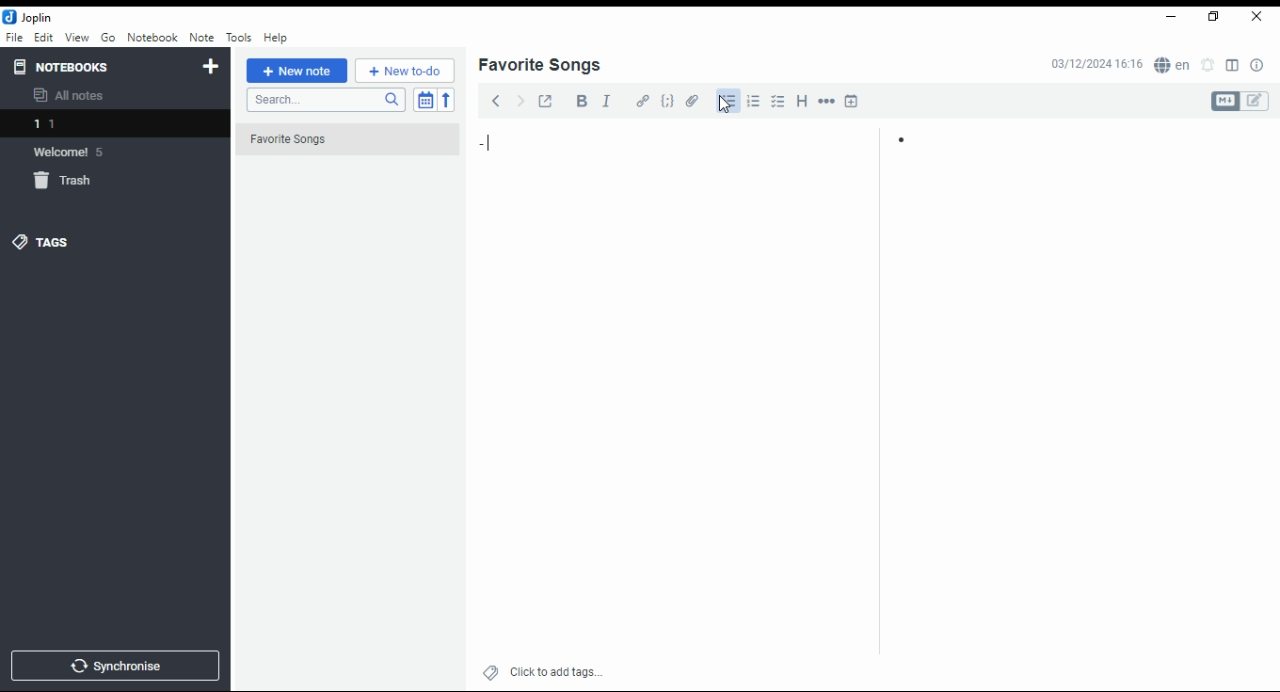 The width and height of the screenshot is (1280, 692). Describe the element at coordinates (667, 101) in the screenshot. I see `code` at that location.